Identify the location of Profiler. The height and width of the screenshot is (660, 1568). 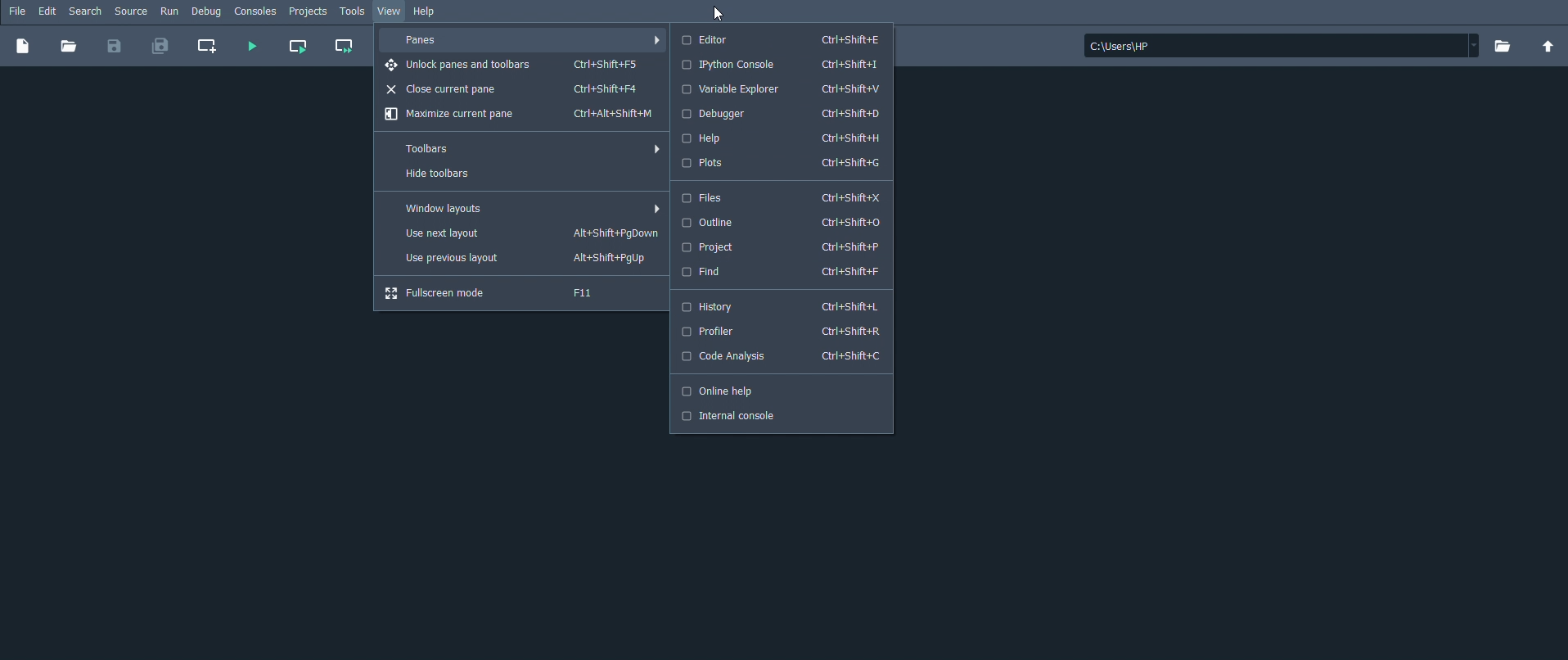
(782, 332).